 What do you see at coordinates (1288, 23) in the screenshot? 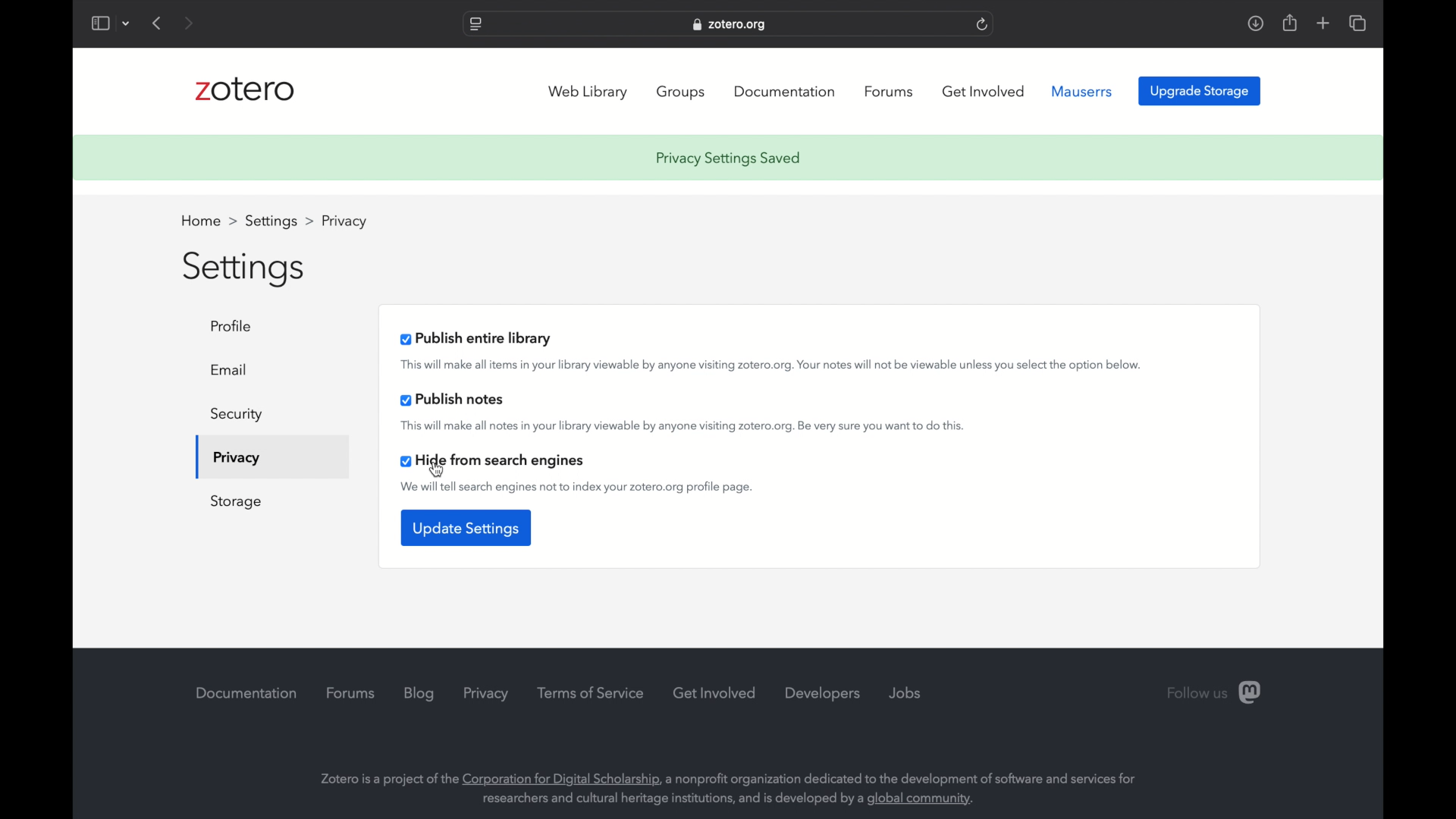
I see `share` at bounding box center [1288, 23].